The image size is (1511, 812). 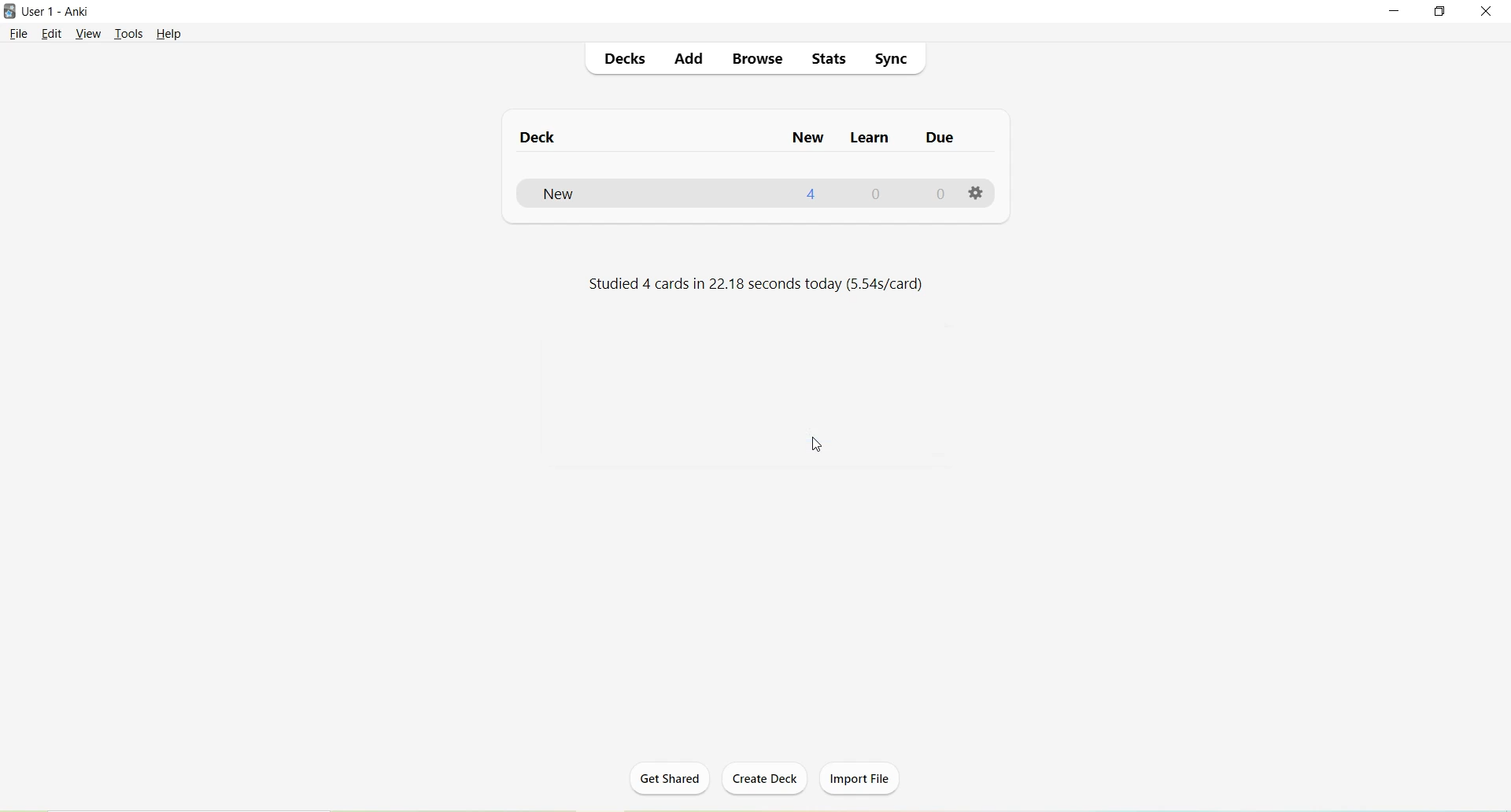 What do you see at coordinates (567, 194) in the screenshot?
I see `New` at bounding box center [567, 194].